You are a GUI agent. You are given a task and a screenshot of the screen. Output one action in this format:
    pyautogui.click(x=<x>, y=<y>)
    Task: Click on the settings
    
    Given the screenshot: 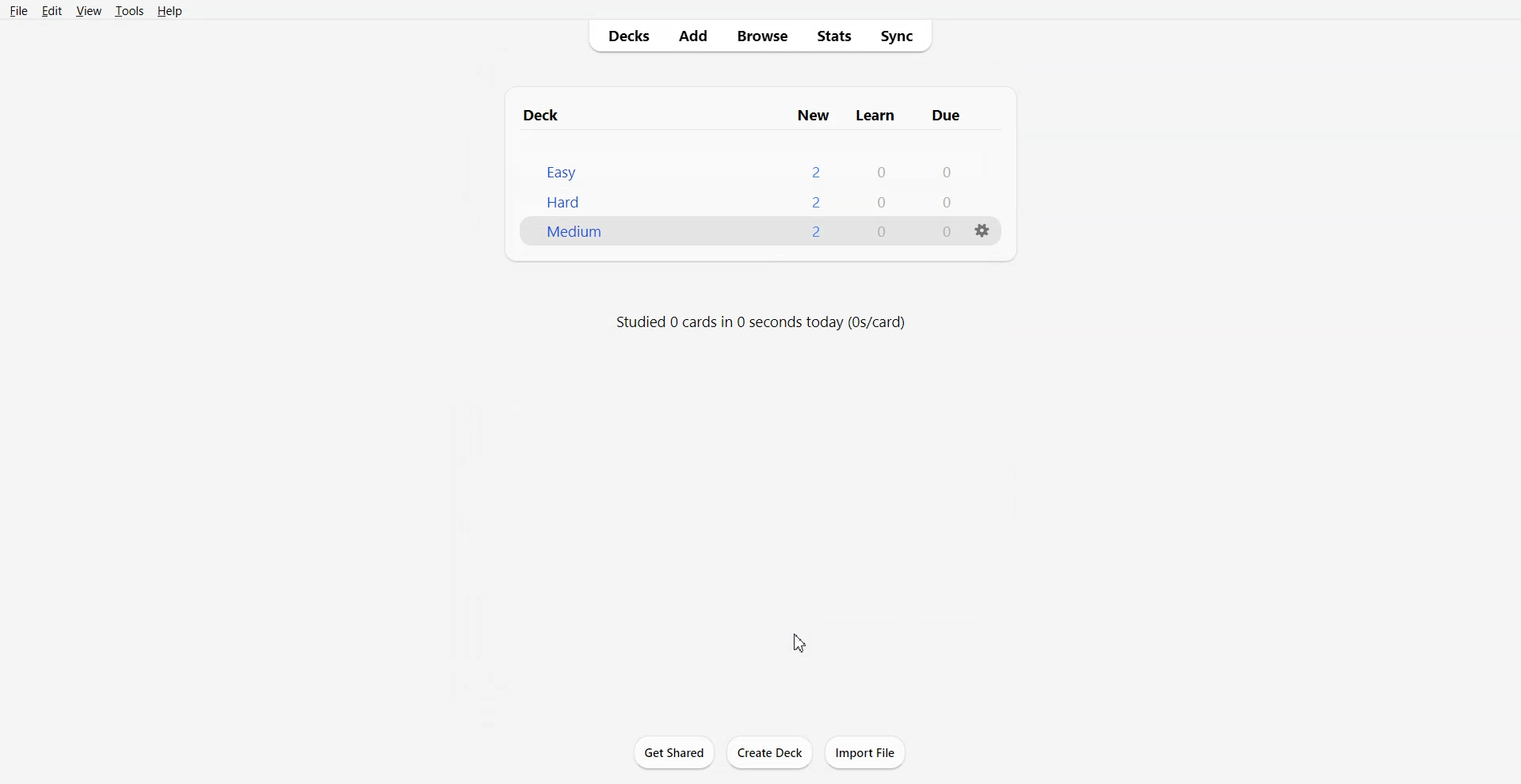 What is the action you would take?
    pyautogui.click(x=986, y=237)
    